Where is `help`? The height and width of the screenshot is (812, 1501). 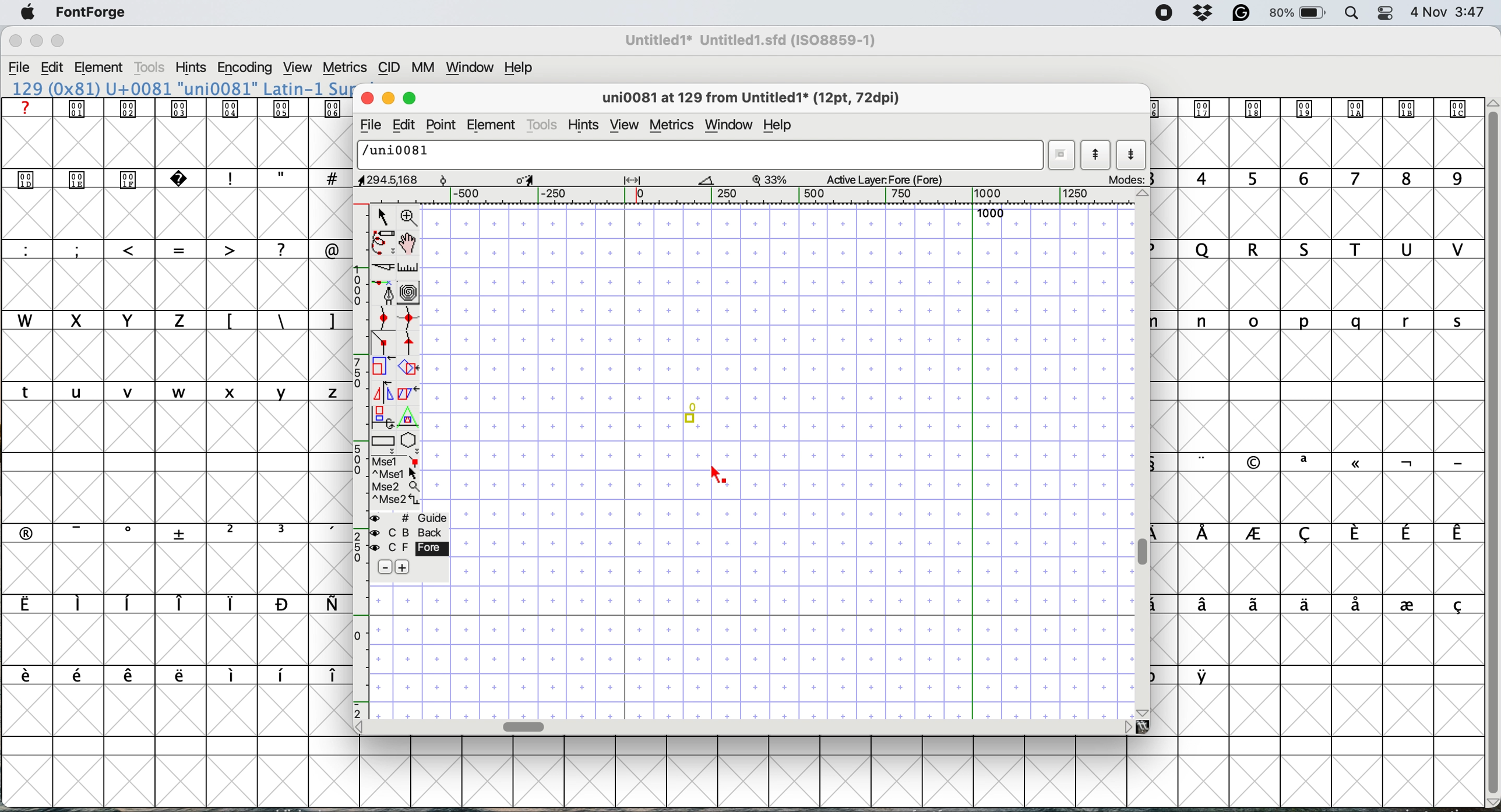 help is located at coordinates (778, 125).